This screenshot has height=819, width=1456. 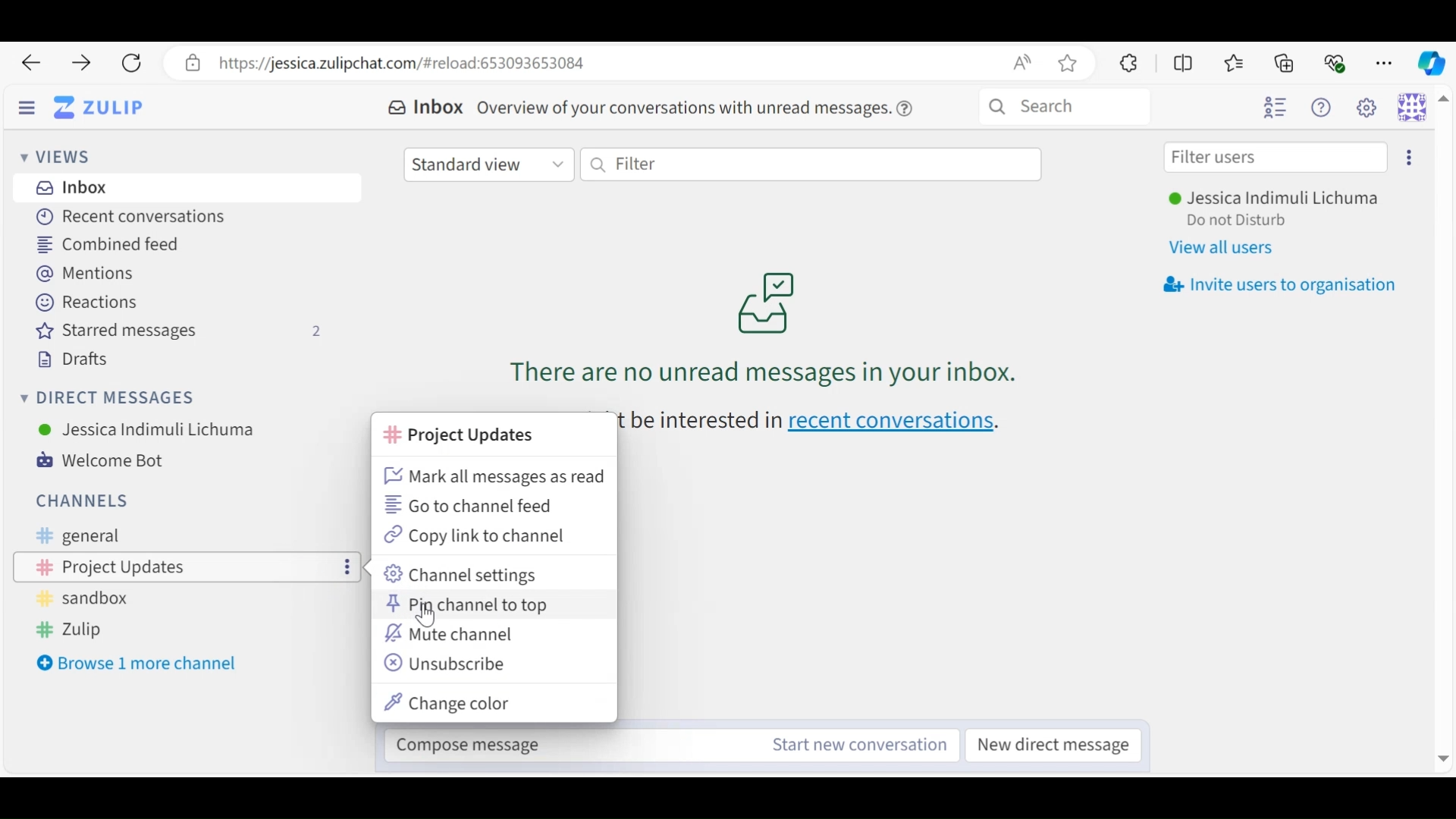 What do you see at coordinates (192, 535) in the screenshot?
I see `Channel` at bounding box center [192, 535].